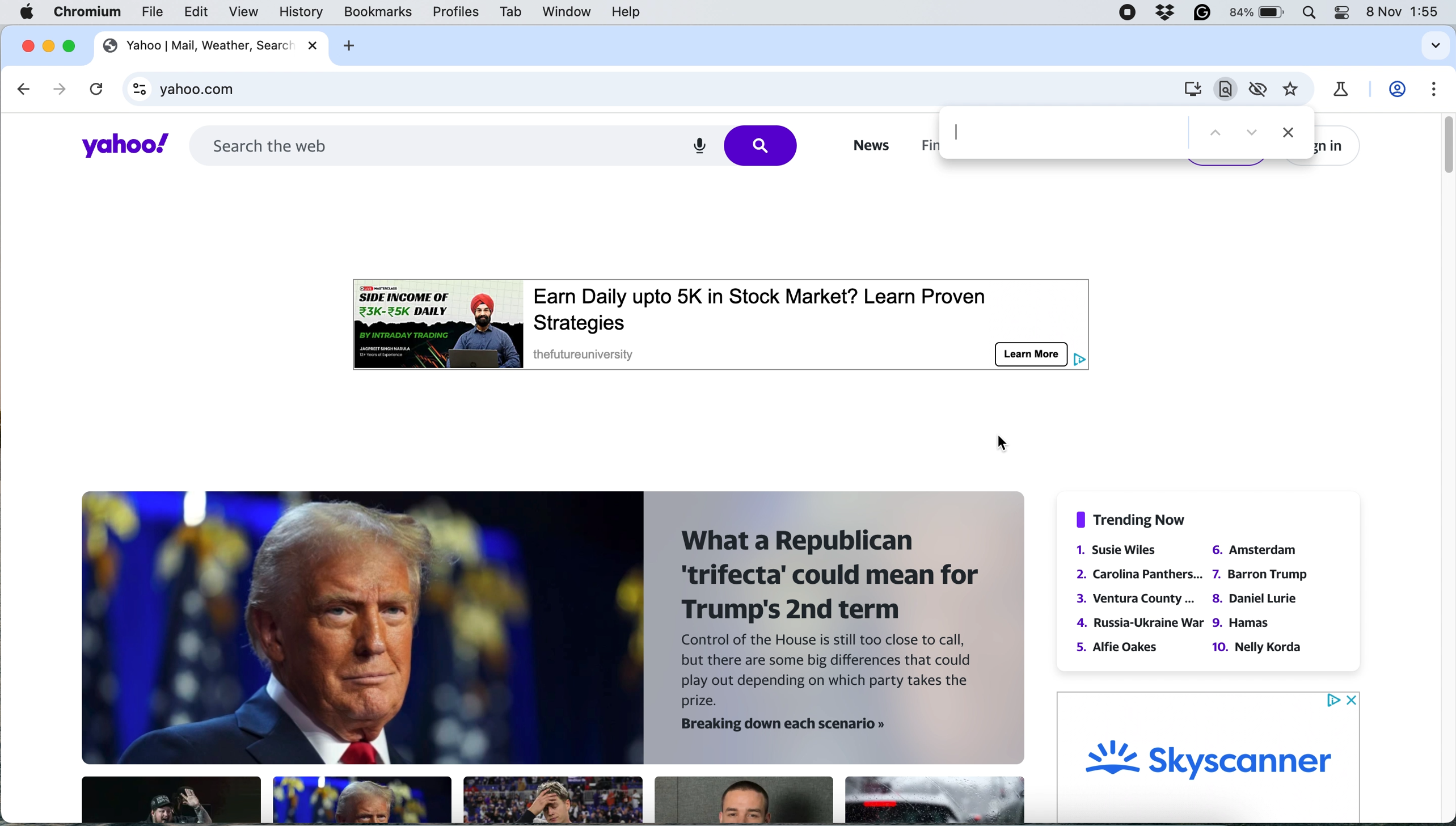  Describe the element at coordinates (47, 45) in the screenshot. I see `minimise` at that location.